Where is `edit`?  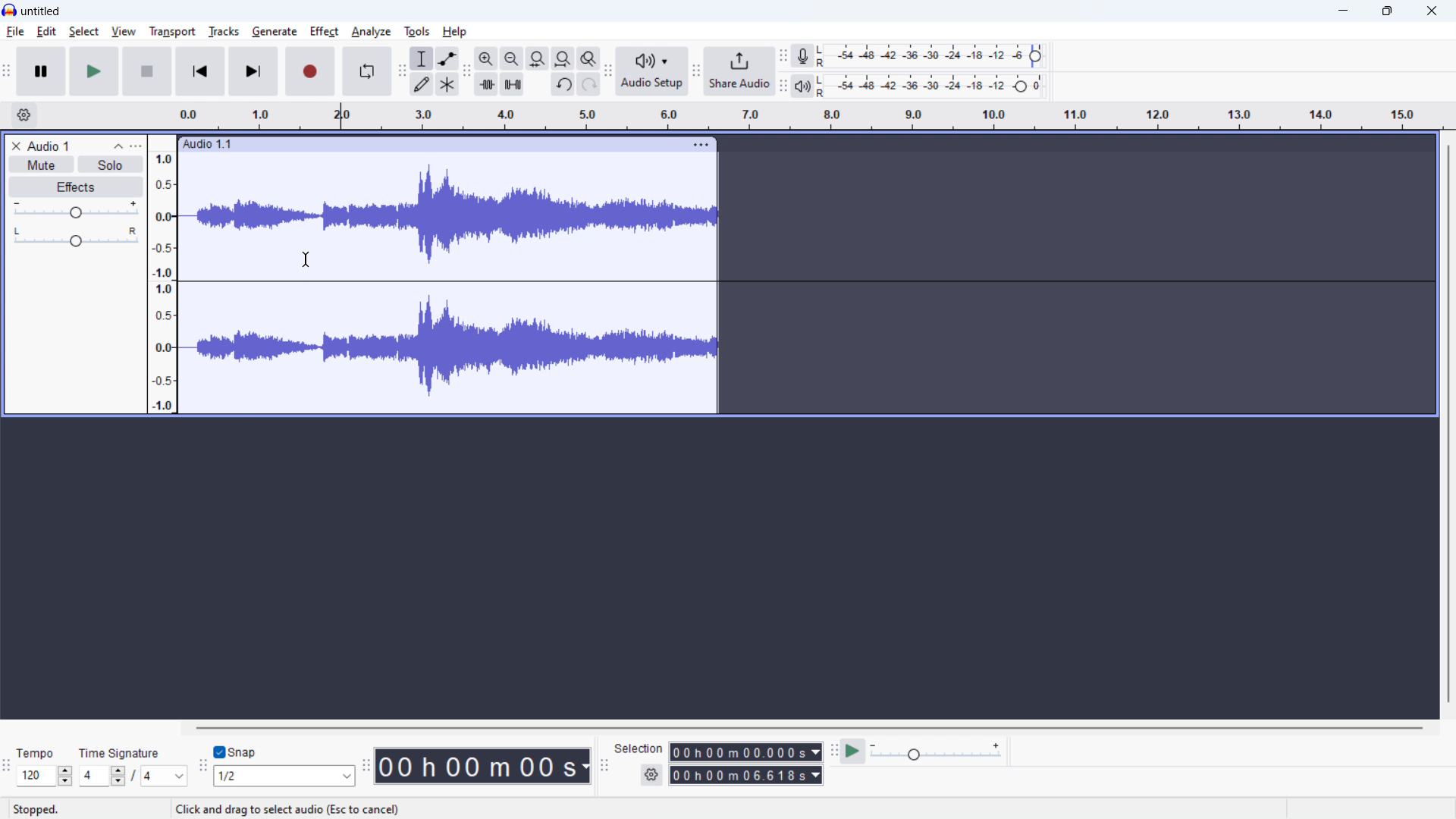 edit is located at coordinates (47, 32).